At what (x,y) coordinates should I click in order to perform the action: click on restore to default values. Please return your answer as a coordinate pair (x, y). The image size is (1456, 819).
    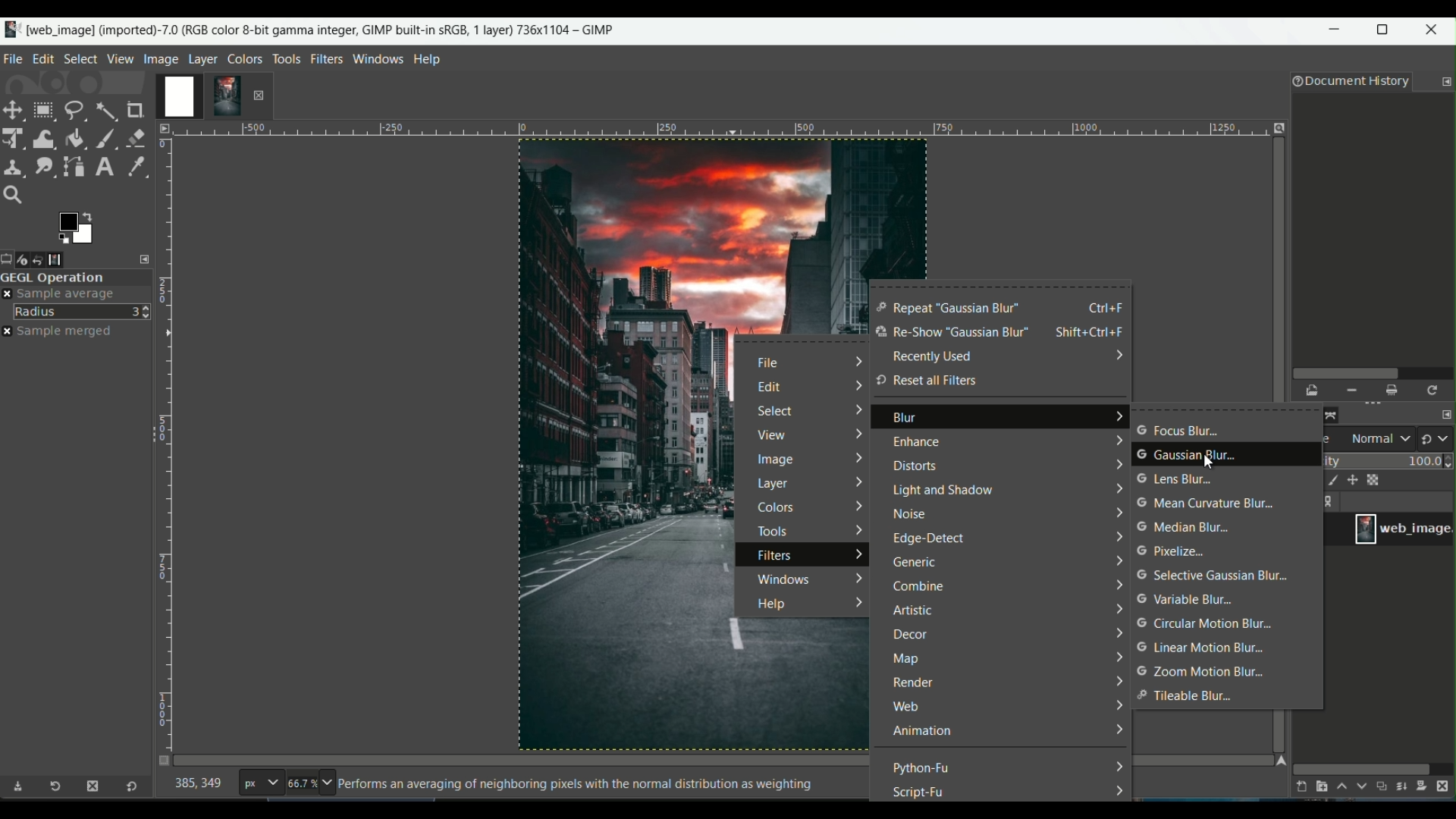
    Looking at the image, I should click on (128, 788).